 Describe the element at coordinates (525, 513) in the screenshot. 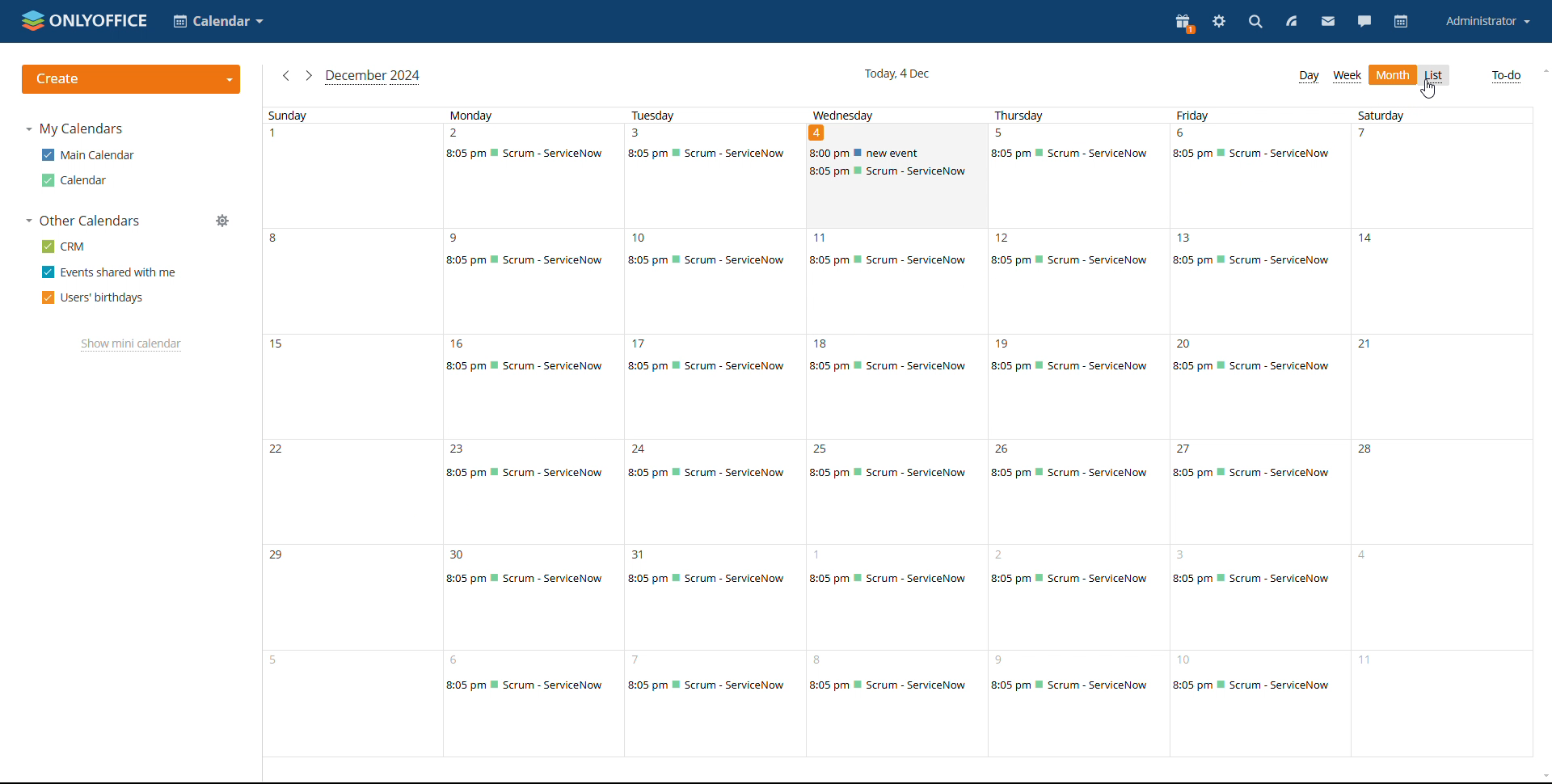

I see `monday` at that location.